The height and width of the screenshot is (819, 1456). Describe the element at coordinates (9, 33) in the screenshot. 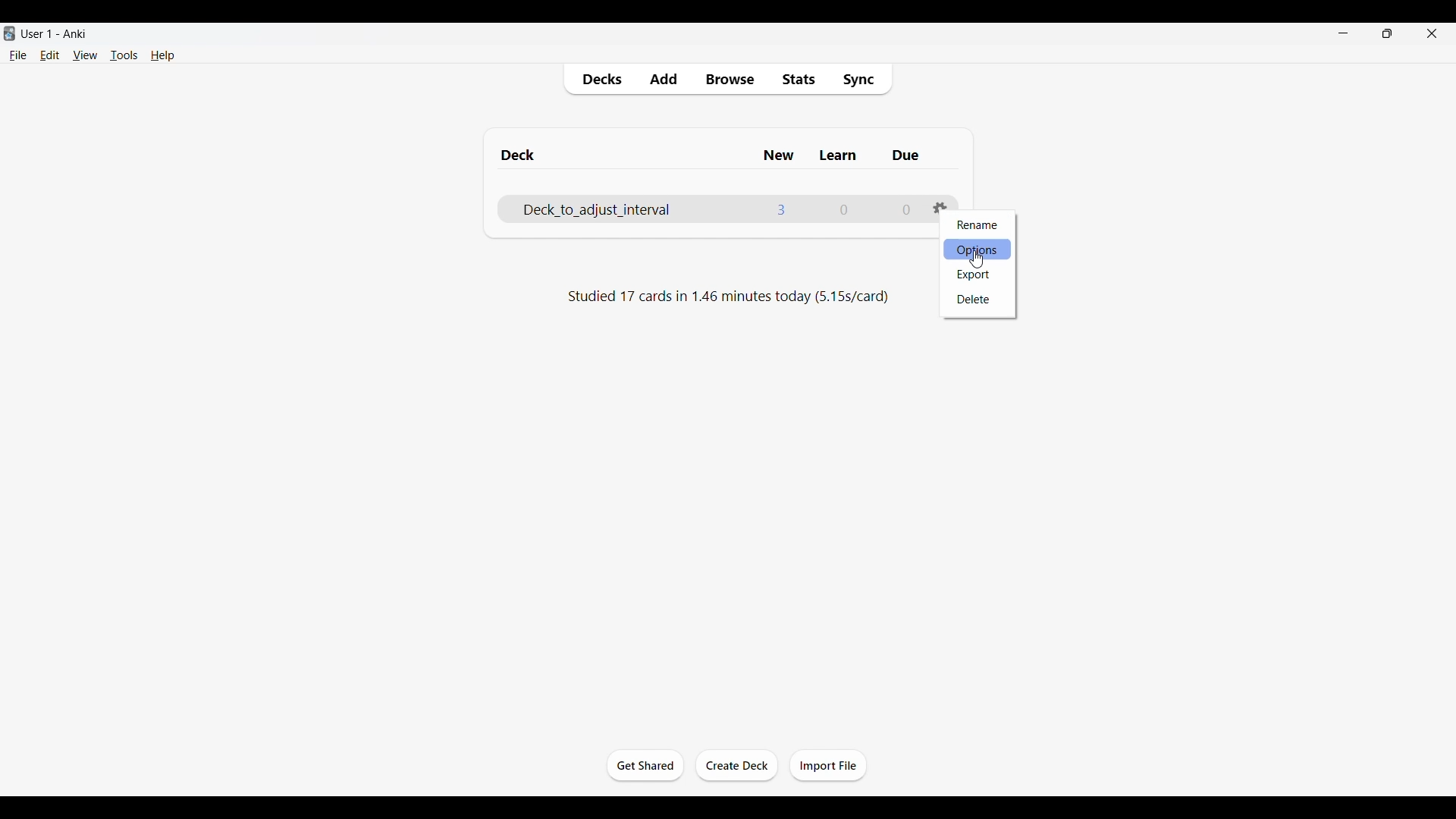

I see `Software logo` at that location.